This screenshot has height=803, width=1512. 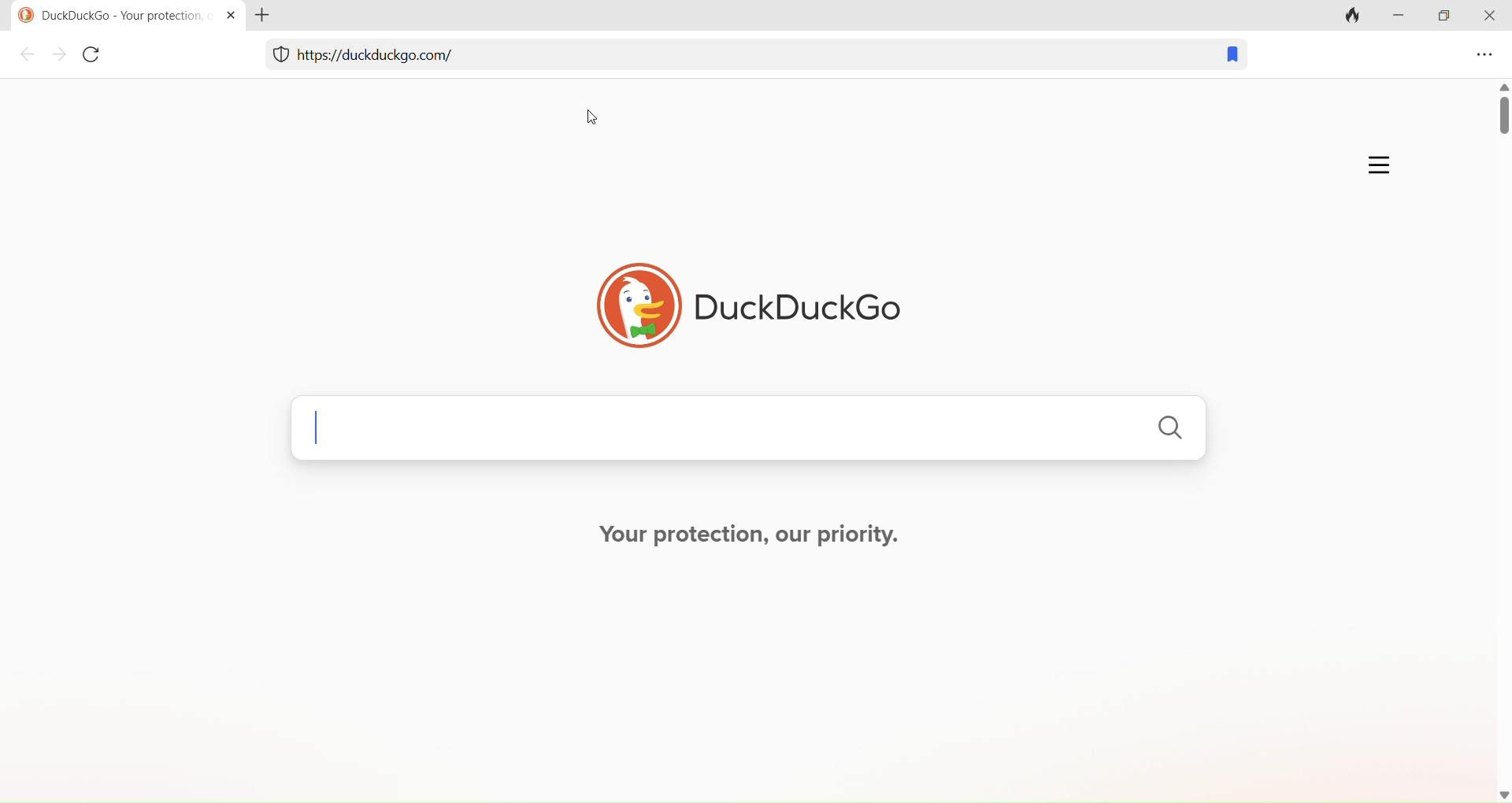 What do you see at coordinates (398, 61) in the screenshot?
I see `web address` at bounding box center [398, 61].